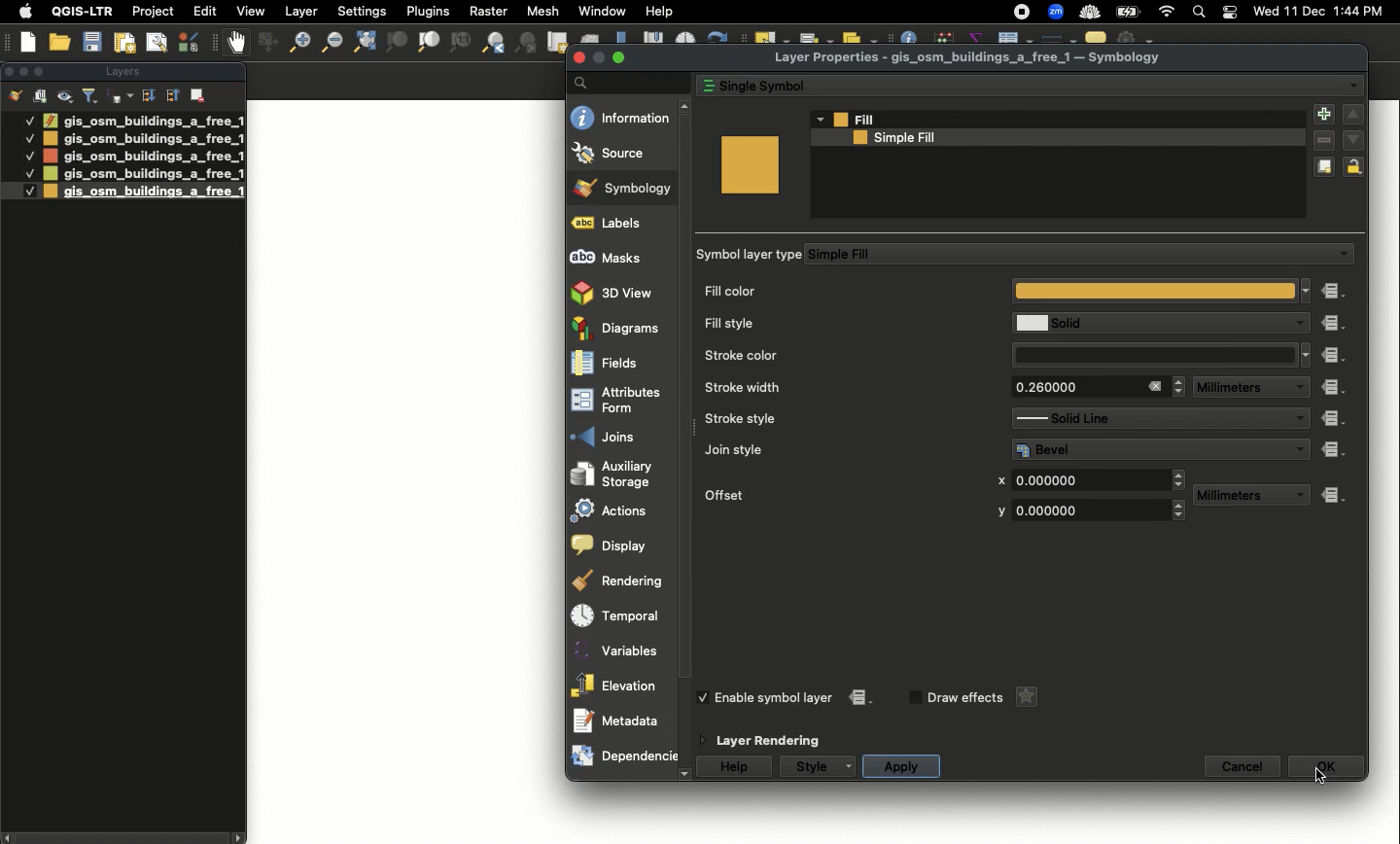 This screenshot has width=1400, height=844. Describe the element at coordinates (1070, 387) in the screenshot. I see `0.260000` at that location.